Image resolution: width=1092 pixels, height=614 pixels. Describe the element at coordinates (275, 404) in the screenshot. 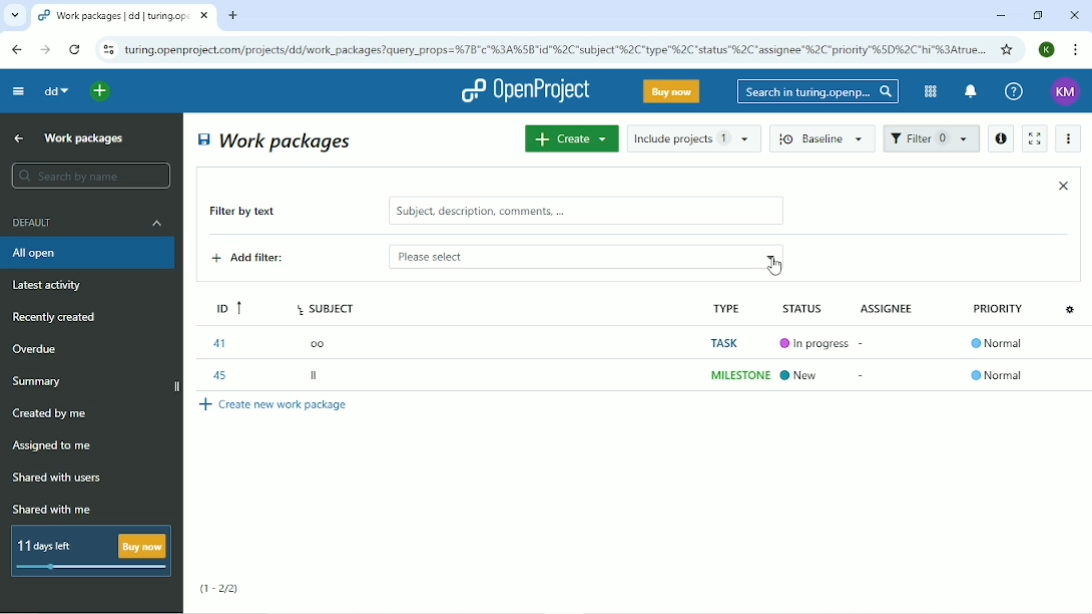

I see `Create new work package` at that location.